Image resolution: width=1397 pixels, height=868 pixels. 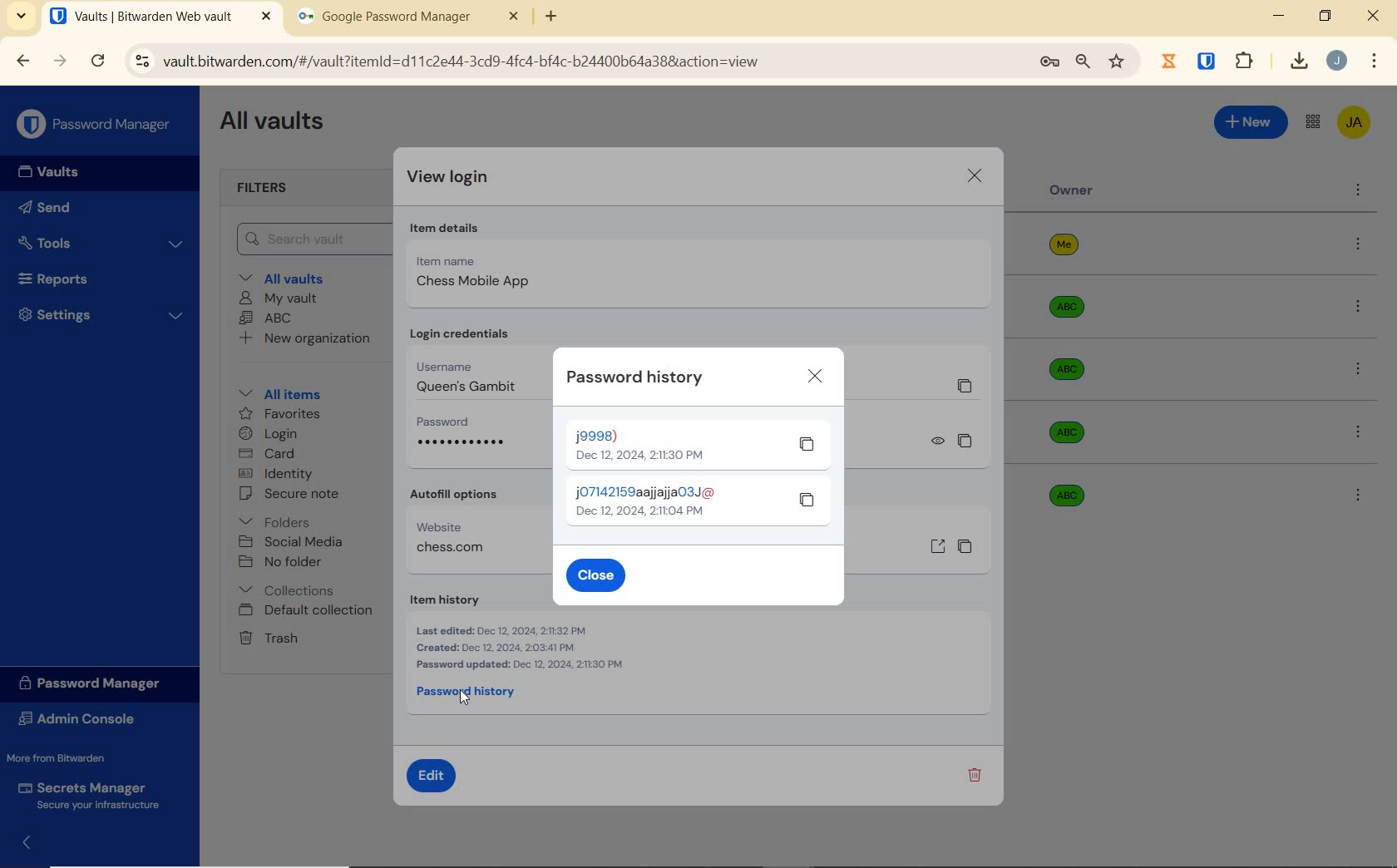 What do you see at coordinates (452, 550) in the screenshot?
I see `chess.com` at bounding box center [452, 550].